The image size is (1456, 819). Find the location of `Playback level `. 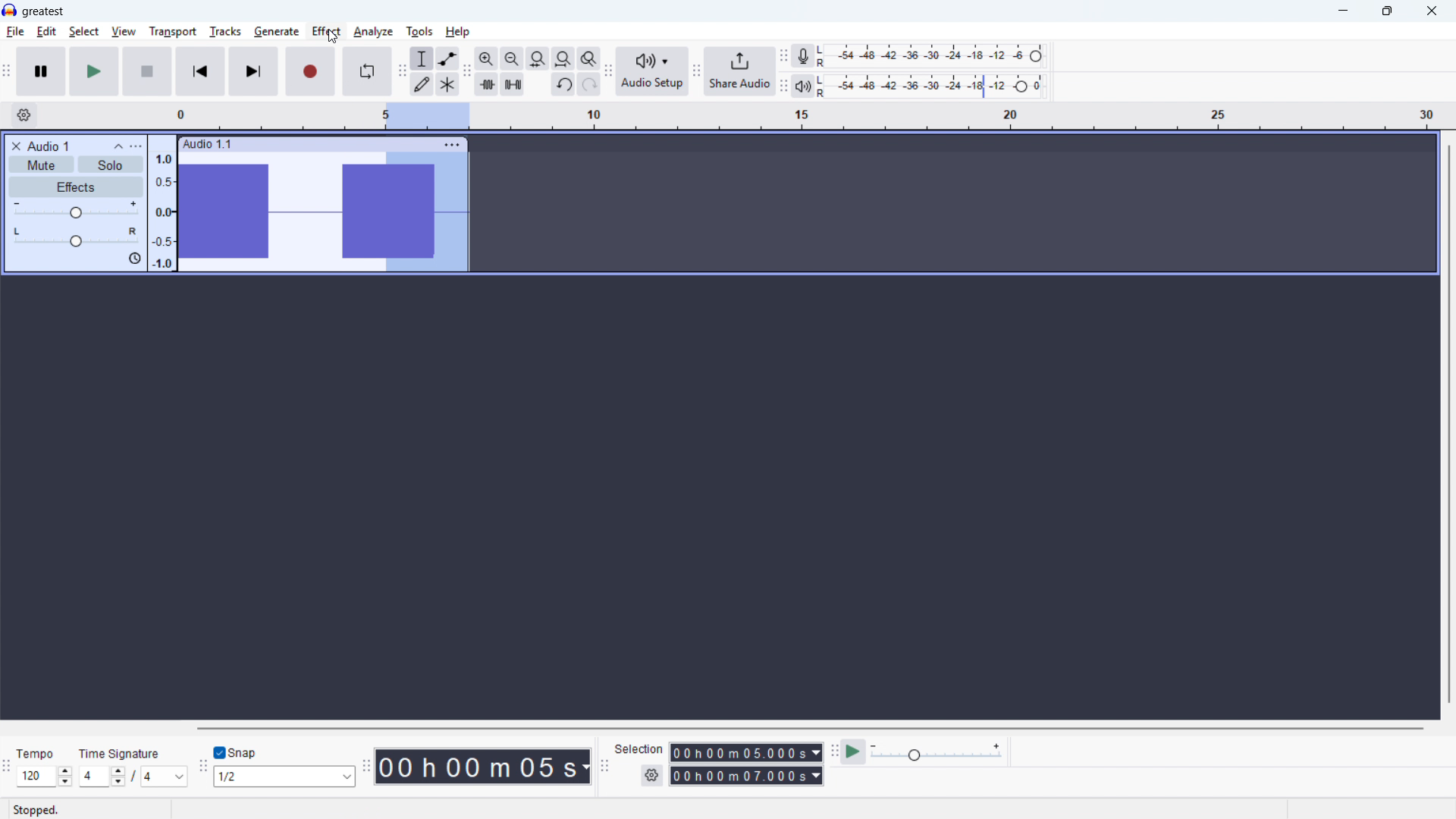

Playback level  is located at coordinates (935, 86).